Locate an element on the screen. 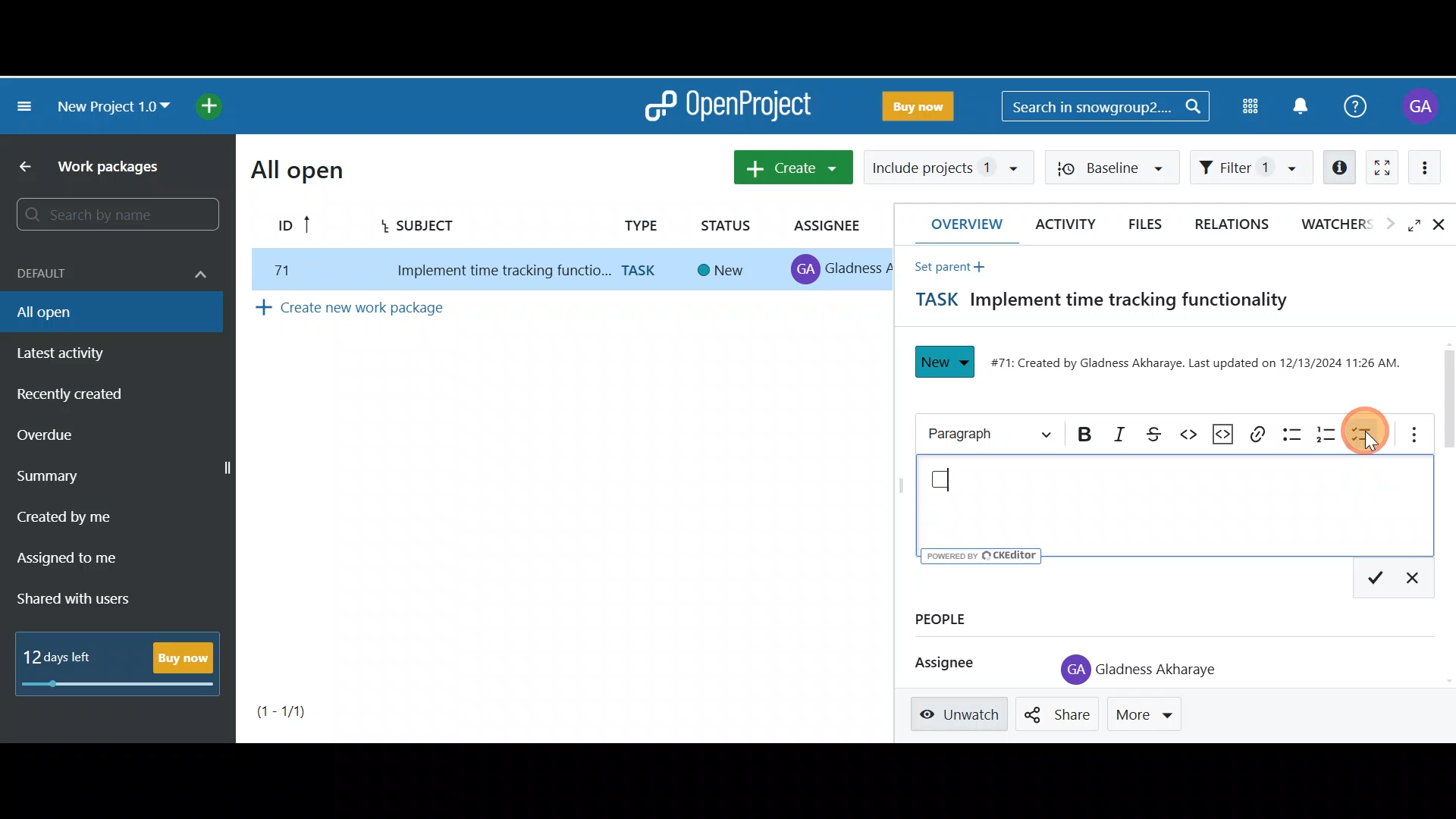 This screenshot has width=1456, height=819. Activity is located at coordinates (1062, 224).